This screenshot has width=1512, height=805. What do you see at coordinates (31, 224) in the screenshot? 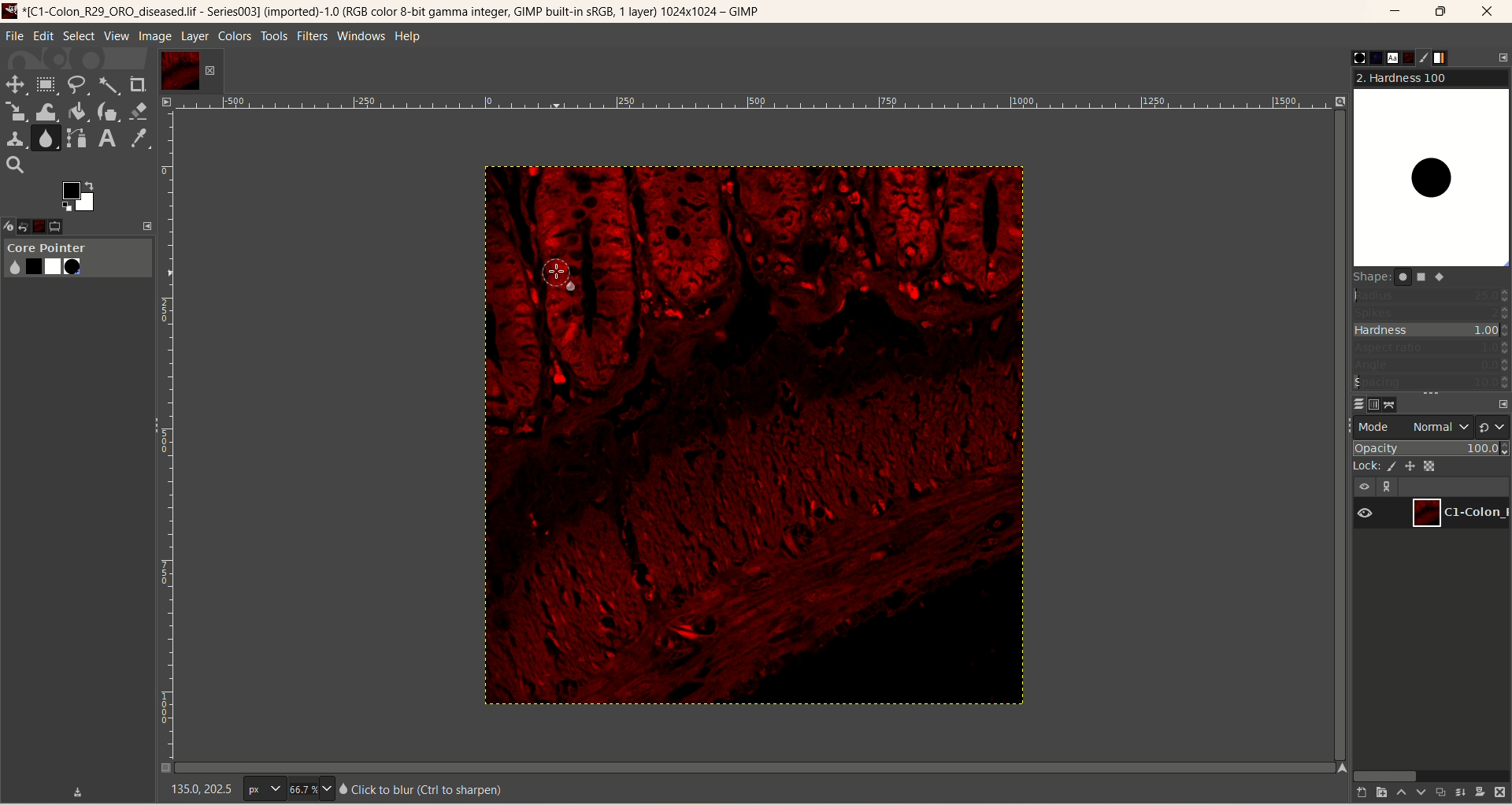
I see `open` at bounding box center [31, 224].